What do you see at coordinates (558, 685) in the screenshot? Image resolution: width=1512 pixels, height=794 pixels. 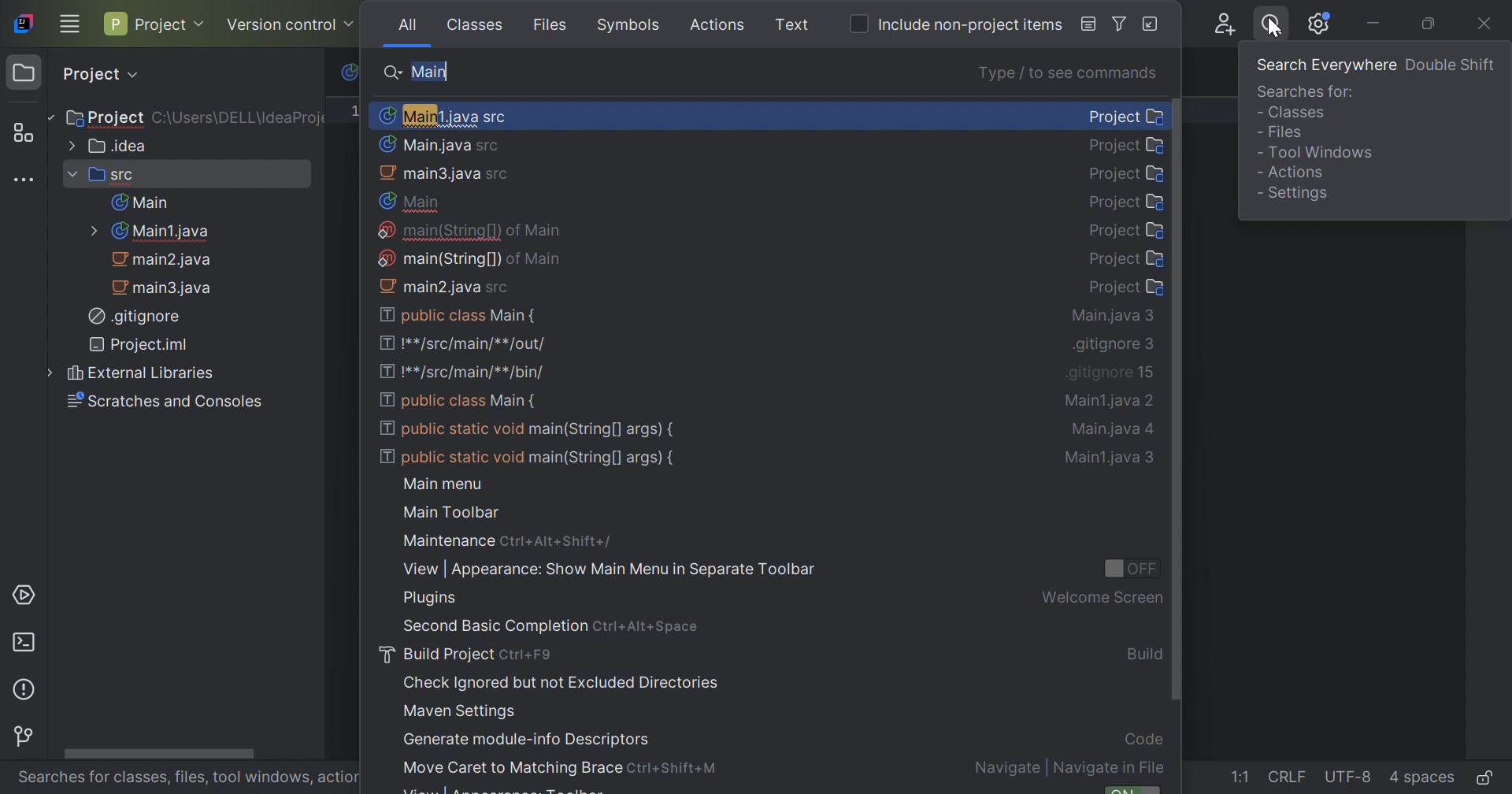 I see `Check Ignores but not Excluded Directions` at bounding box center [558, 685].